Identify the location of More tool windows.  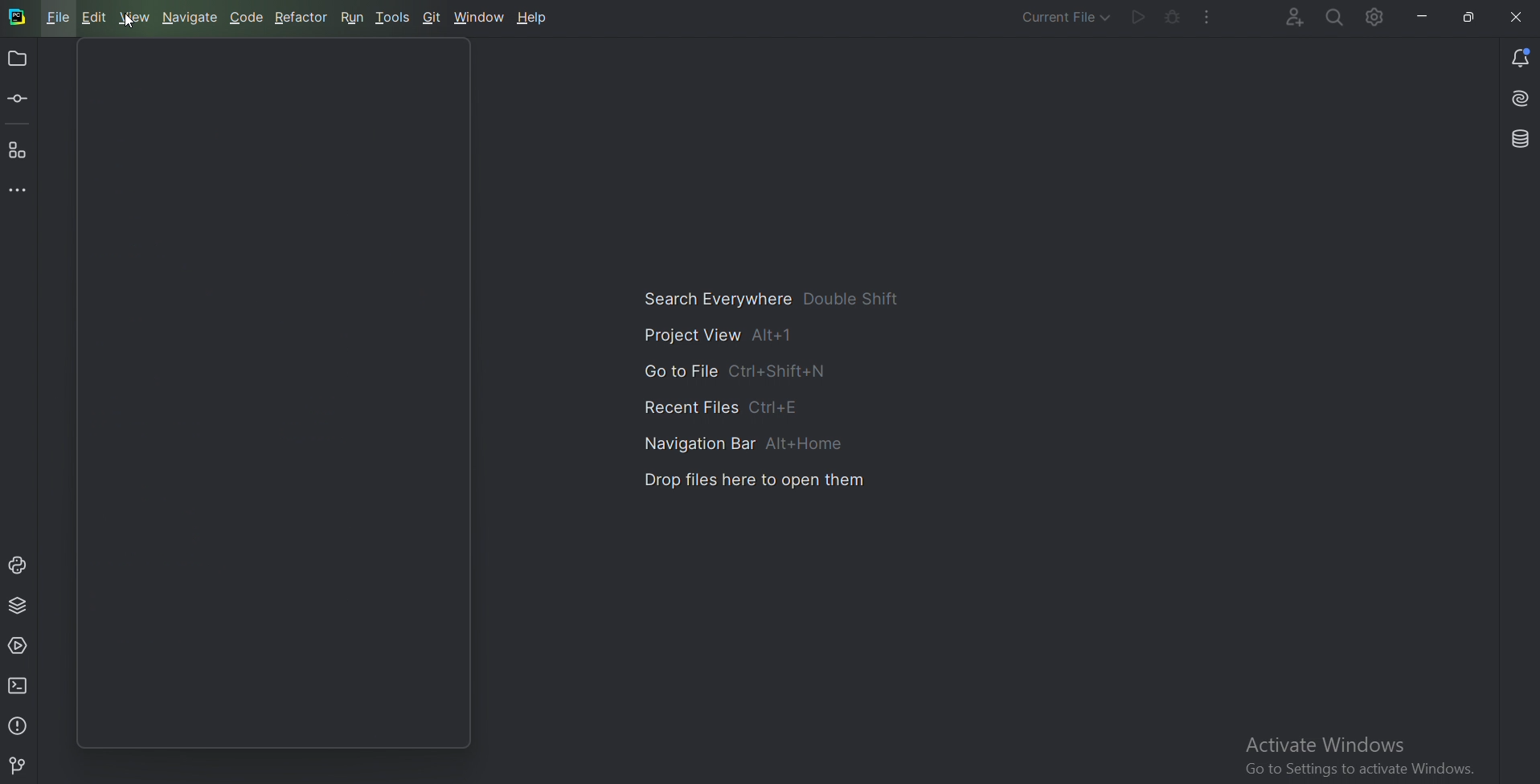
(23, 188).